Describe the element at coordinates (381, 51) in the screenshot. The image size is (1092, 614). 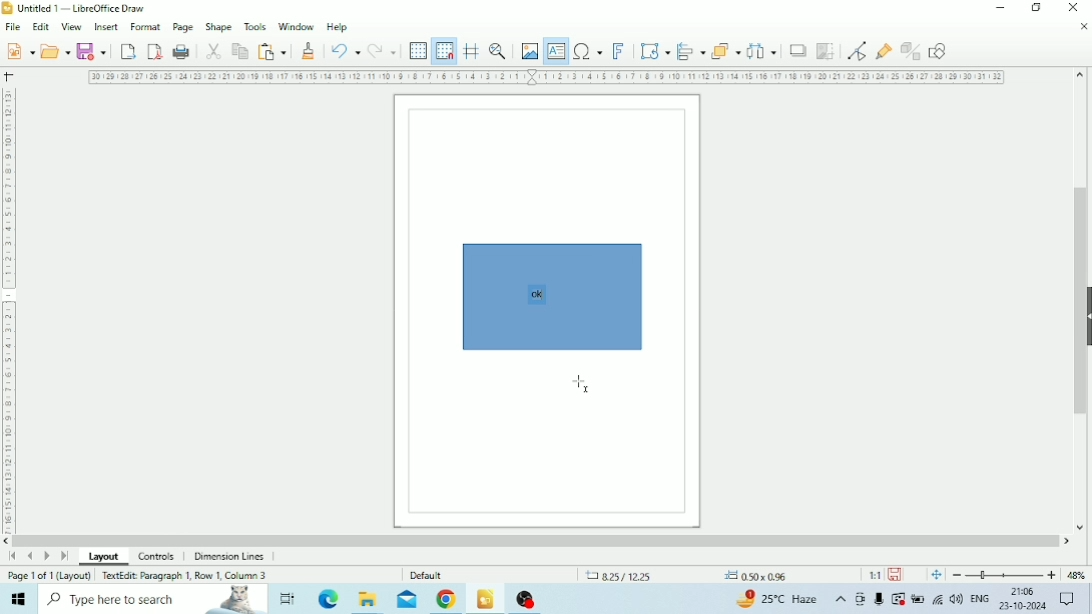
I see `Redo` at that location.